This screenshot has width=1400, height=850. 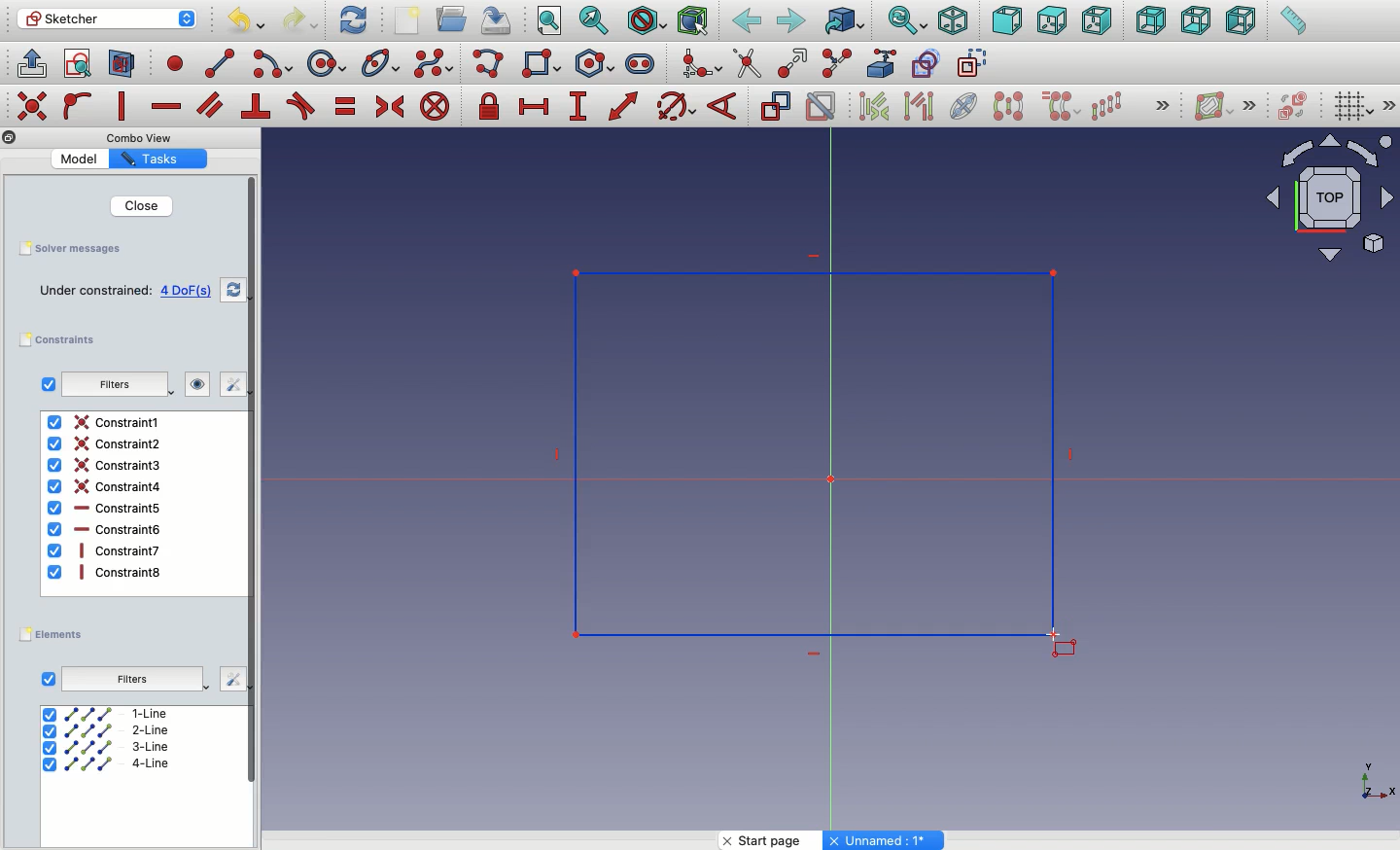 I want to click on Extend edge , so click(x=795, y=64).